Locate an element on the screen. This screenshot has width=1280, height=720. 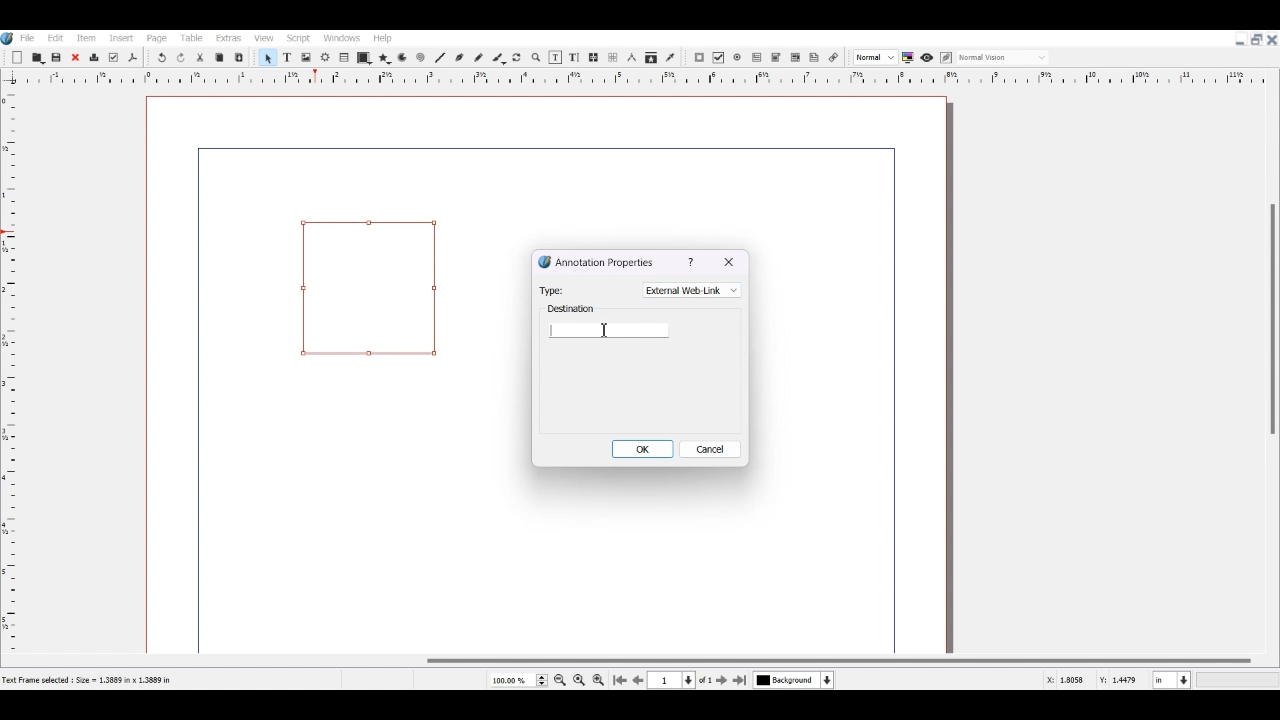
Cancel is located at coordinates (712, 449).